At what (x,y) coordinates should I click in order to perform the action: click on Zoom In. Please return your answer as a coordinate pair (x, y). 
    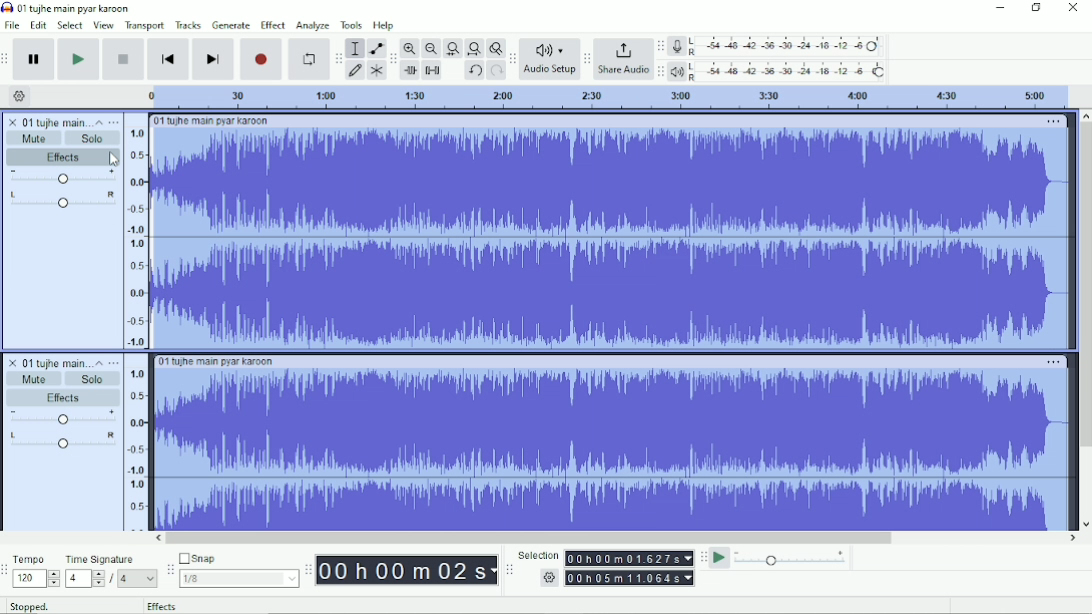
    Looking at the image, I should click on (410, 48).